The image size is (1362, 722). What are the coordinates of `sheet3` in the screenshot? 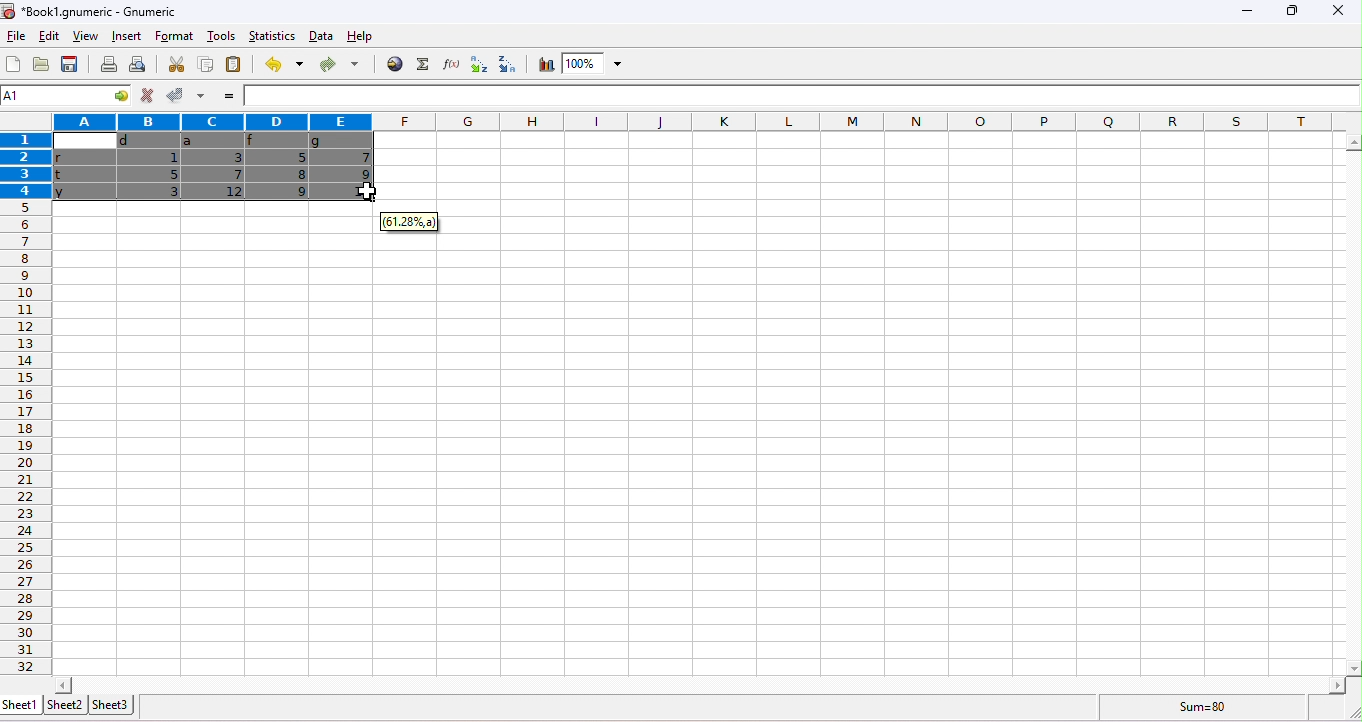 It's located at (113, 704).